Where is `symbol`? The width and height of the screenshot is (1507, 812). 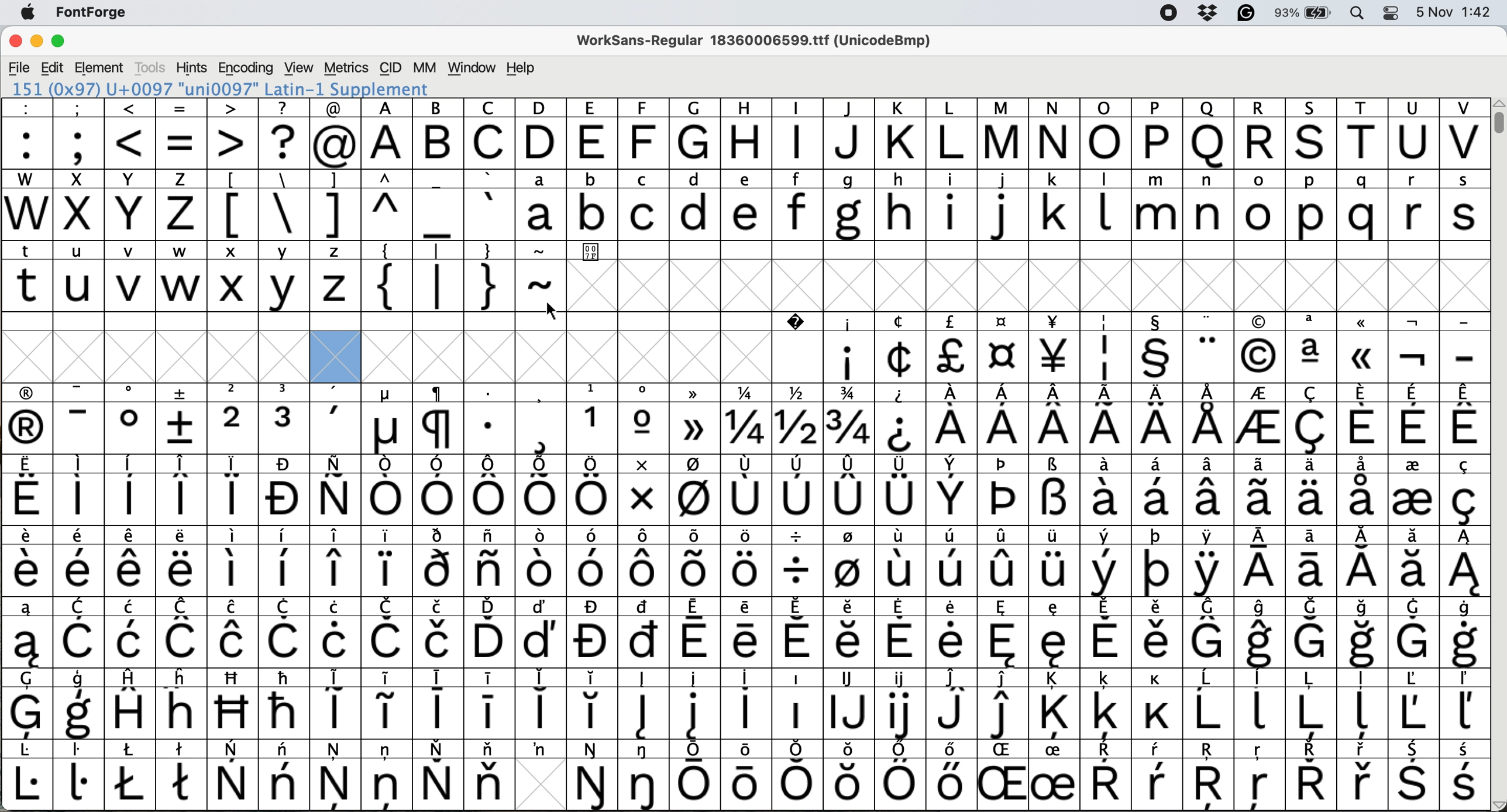
symbol is located at coordinates (1313, 419).